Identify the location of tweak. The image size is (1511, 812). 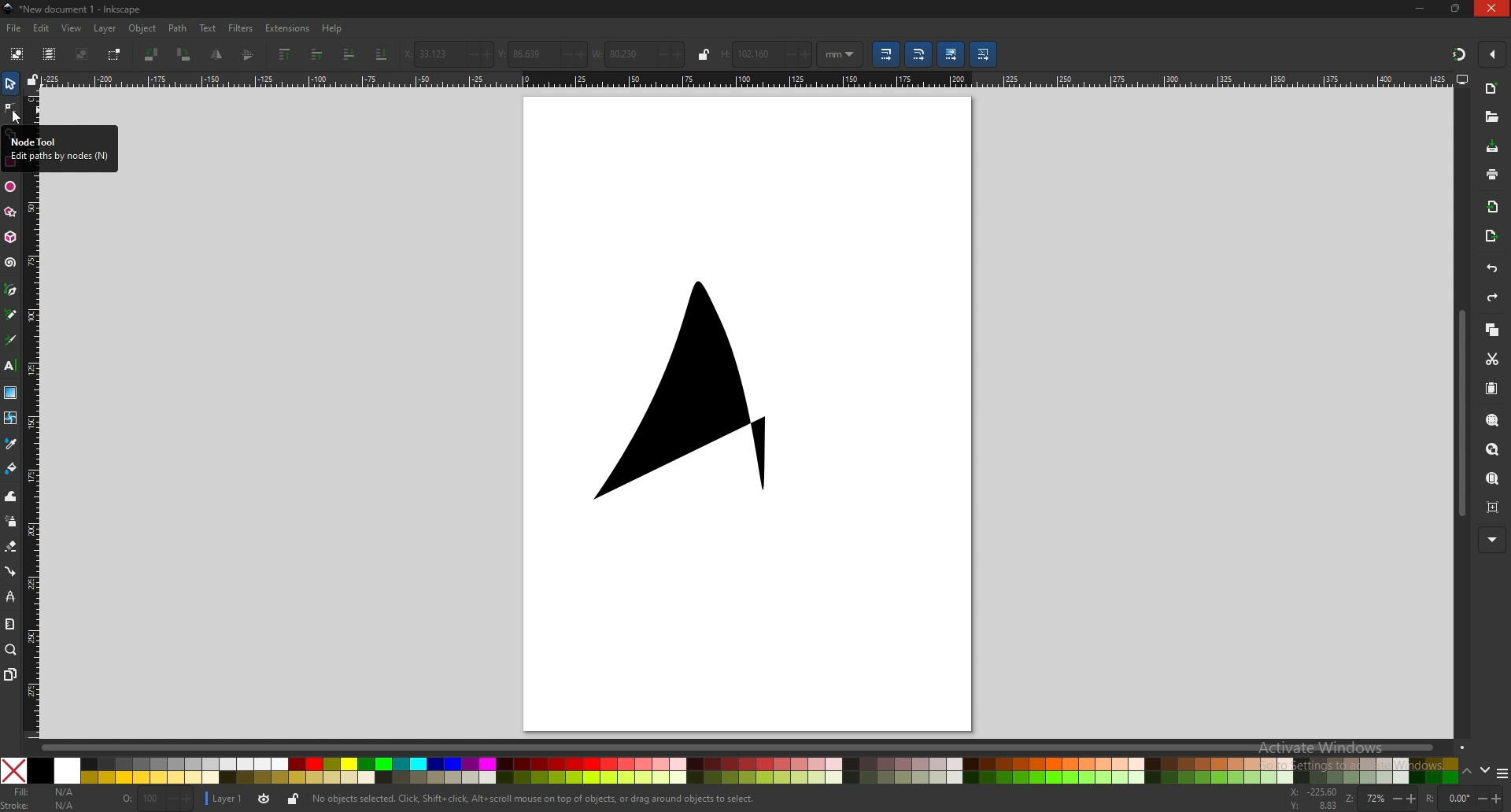
(10, 496).